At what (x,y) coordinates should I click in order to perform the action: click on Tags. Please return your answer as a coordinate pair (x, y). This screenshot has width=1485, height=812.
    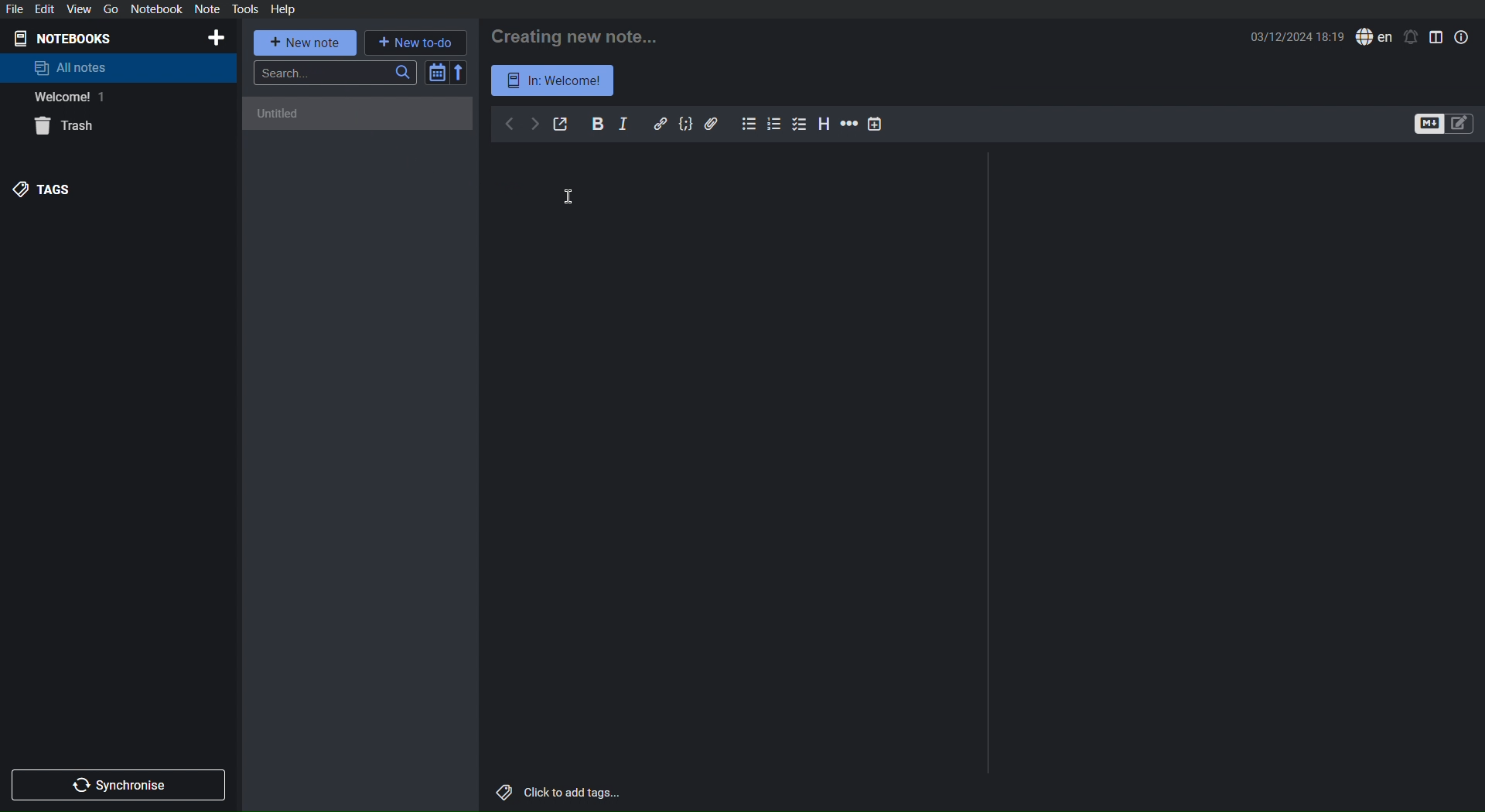
    Looking at the image, I should click on (46, 189).